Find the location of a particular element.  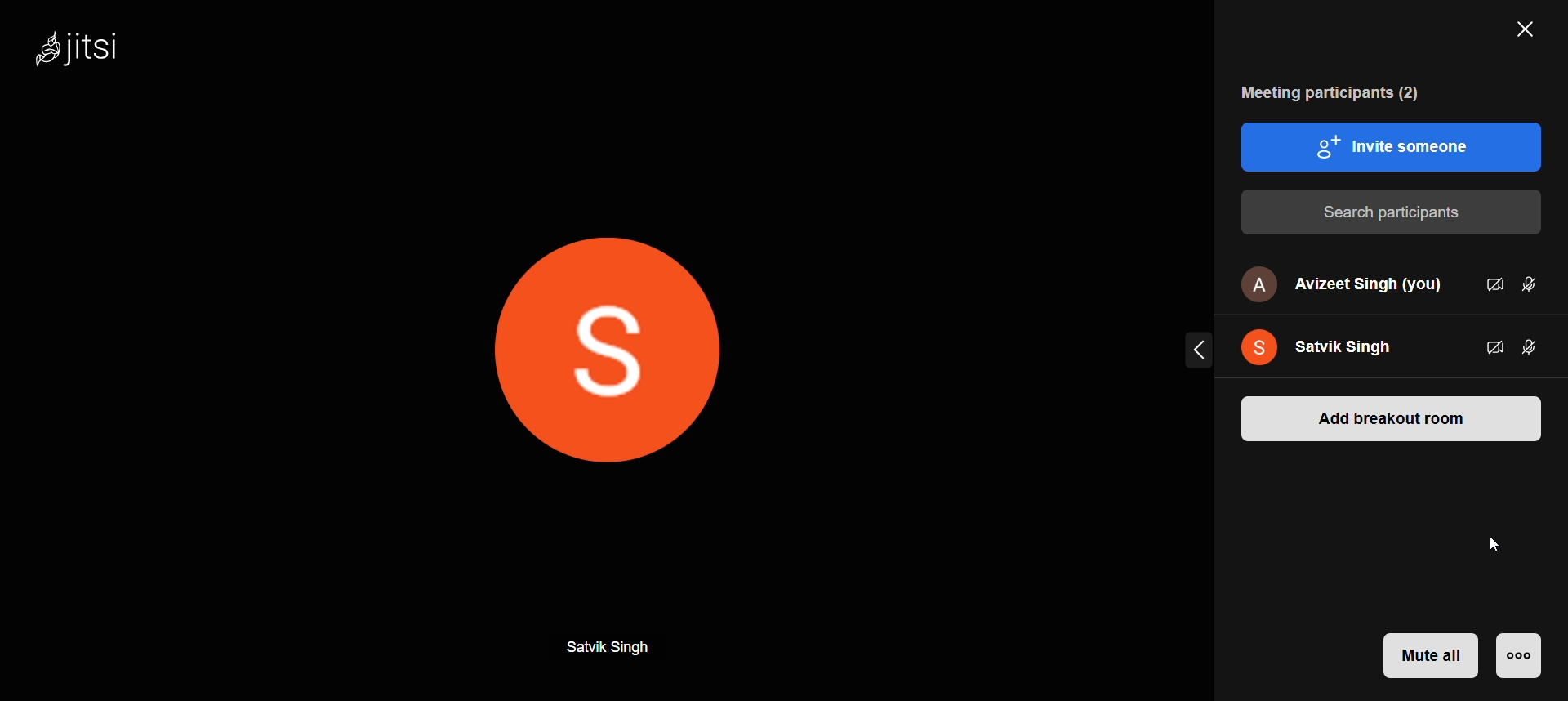

avizeet singh is located at coordinates (1340, 284).